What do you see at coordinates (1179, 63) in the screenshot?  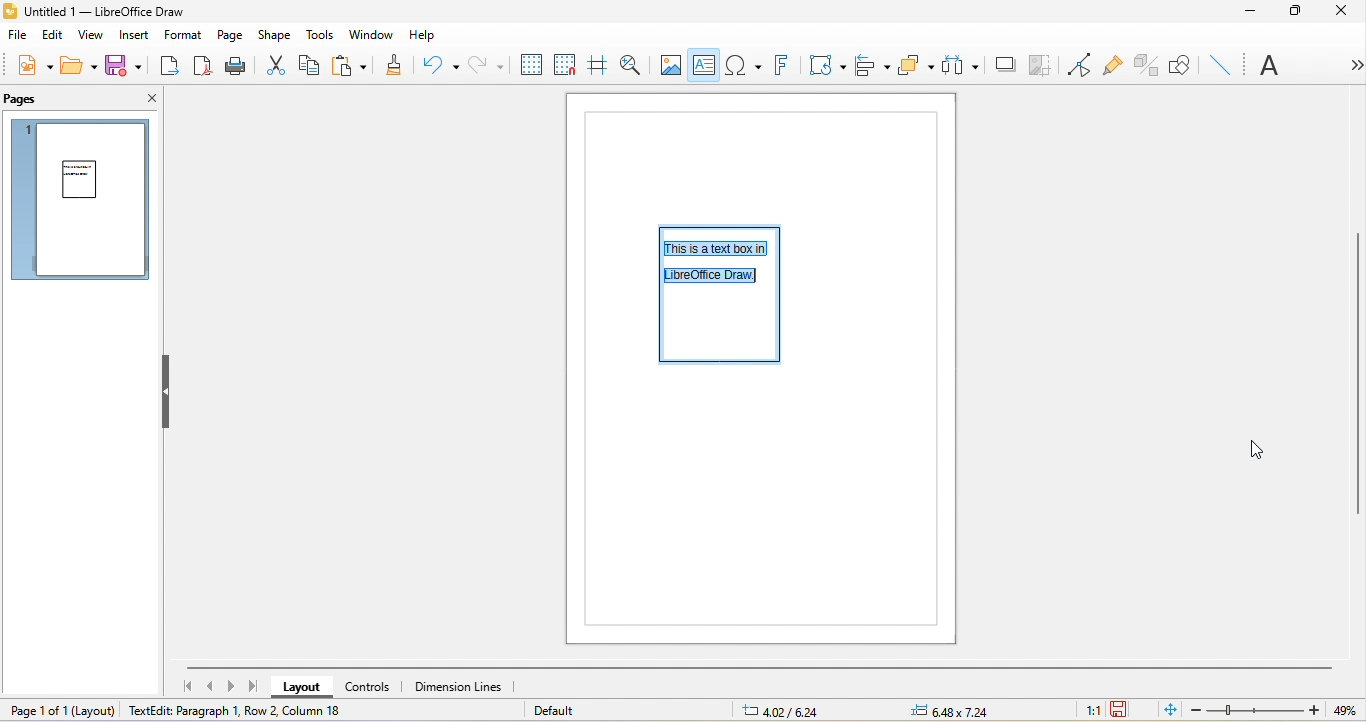 I see `show draw function` at bounding box center [1179, 63].